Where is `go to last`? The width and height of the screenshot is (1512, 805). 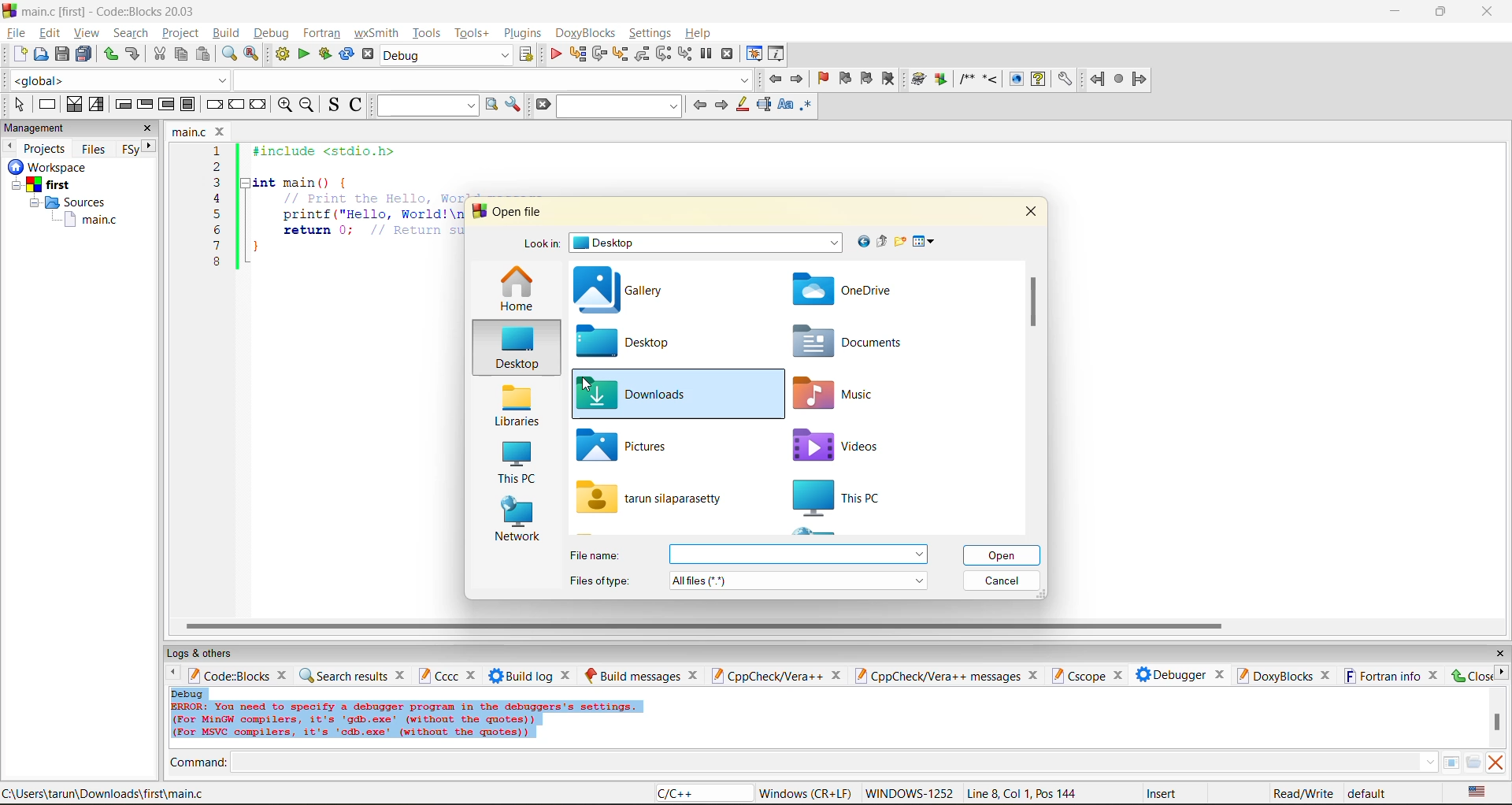
go to last is located at coordinates (861, 241).